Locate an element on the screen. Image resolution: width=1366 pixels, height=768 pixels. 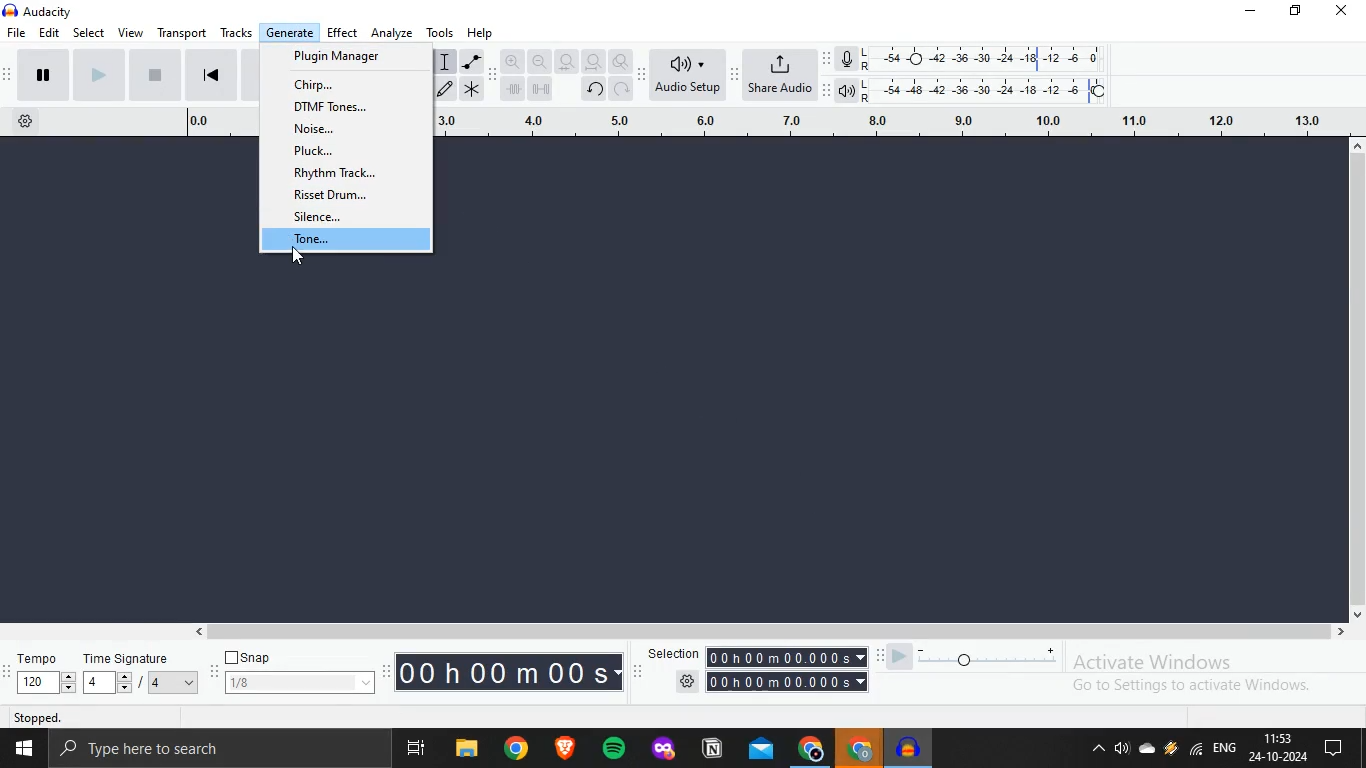
rhythm track is located at coordinates (336, 175).